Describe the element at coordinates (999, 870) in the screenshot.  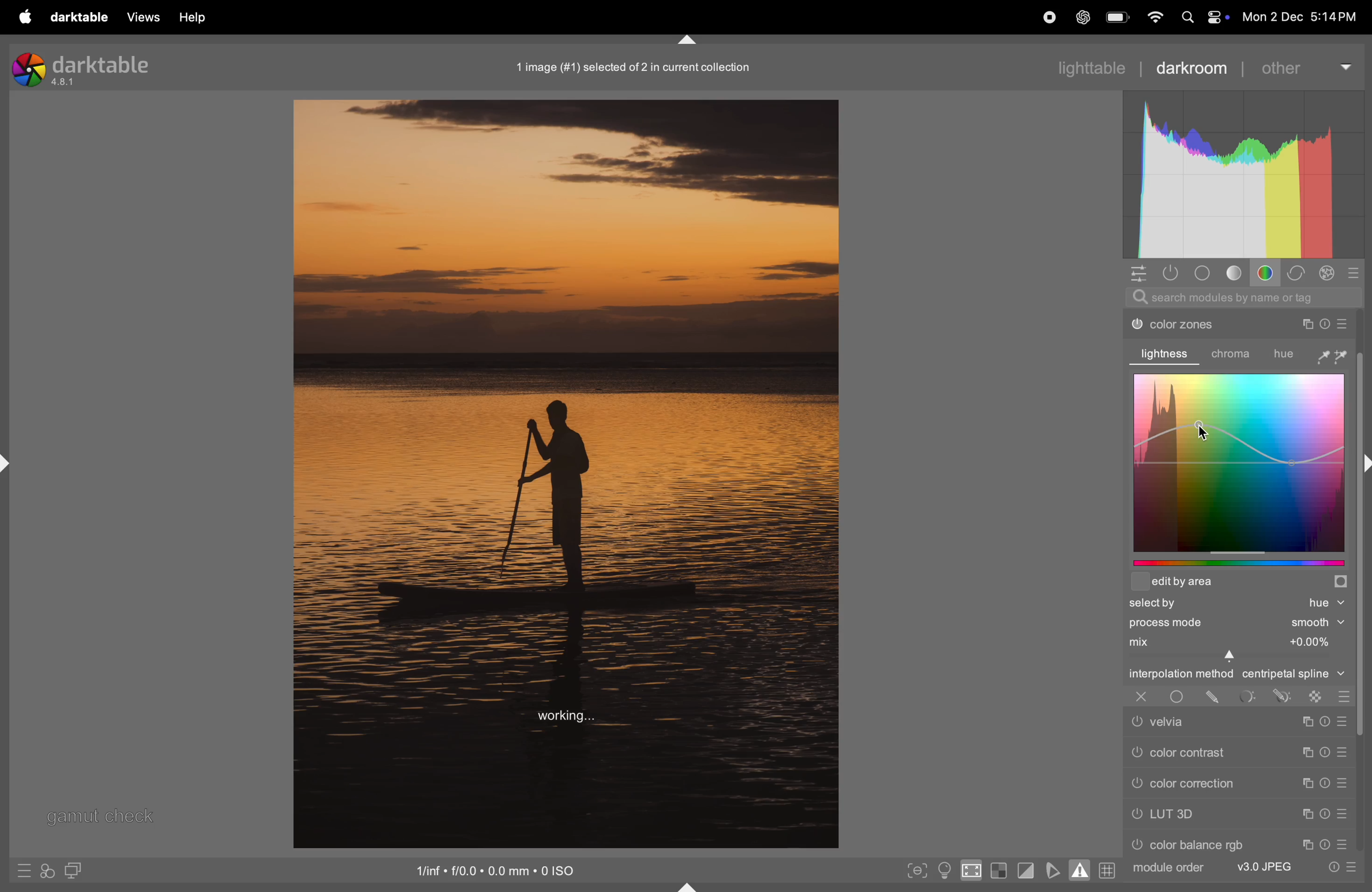
I see `toggle indication of raw exposure` at that location.